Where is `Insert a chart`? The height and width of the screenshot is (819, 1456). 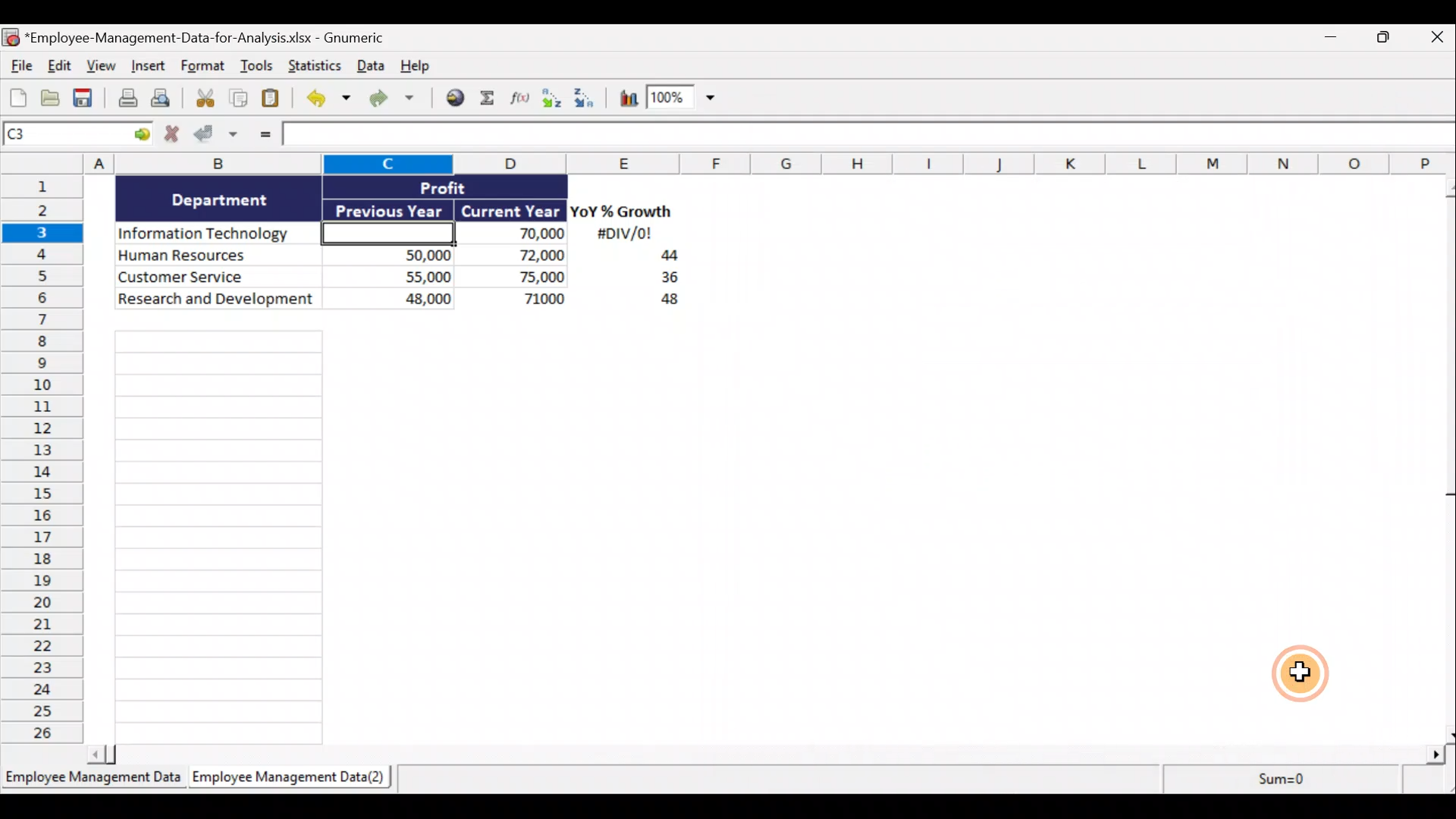
Insert a chart is located at coordinates (622, 97).